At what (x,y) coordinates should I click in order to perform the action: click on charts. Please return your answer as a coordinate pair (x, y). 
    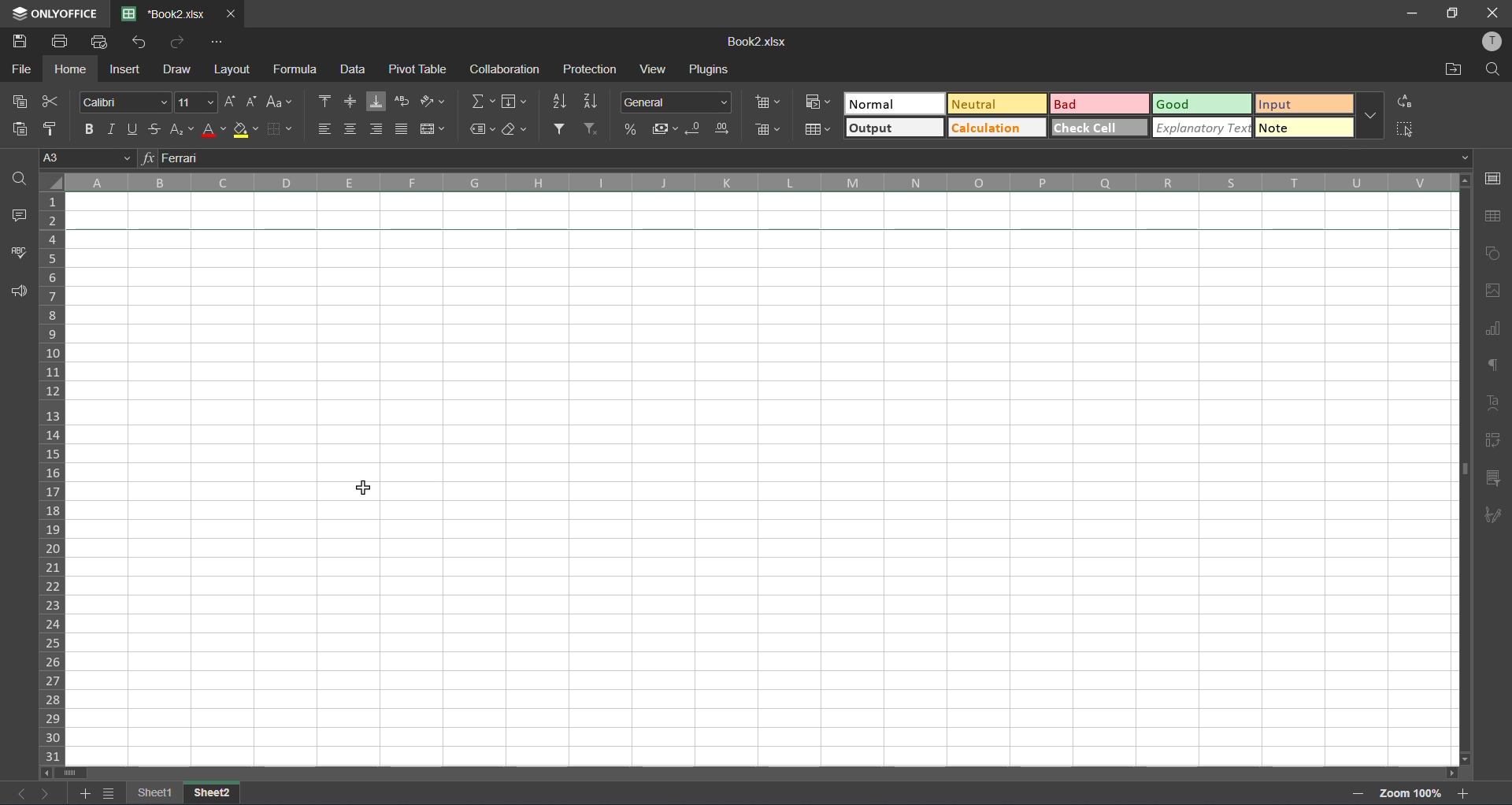
    Looking at the image, I should click on (1493, 329).